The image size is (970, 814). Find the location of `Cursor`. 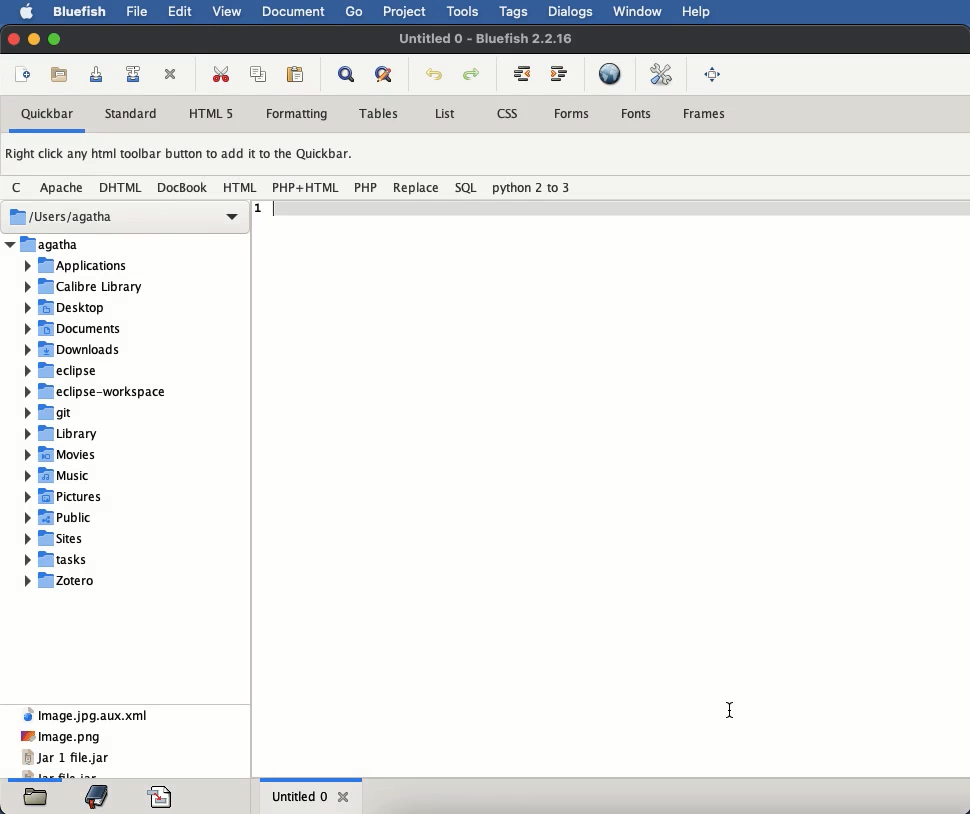

Cursor is located at coordinates (99, 21).